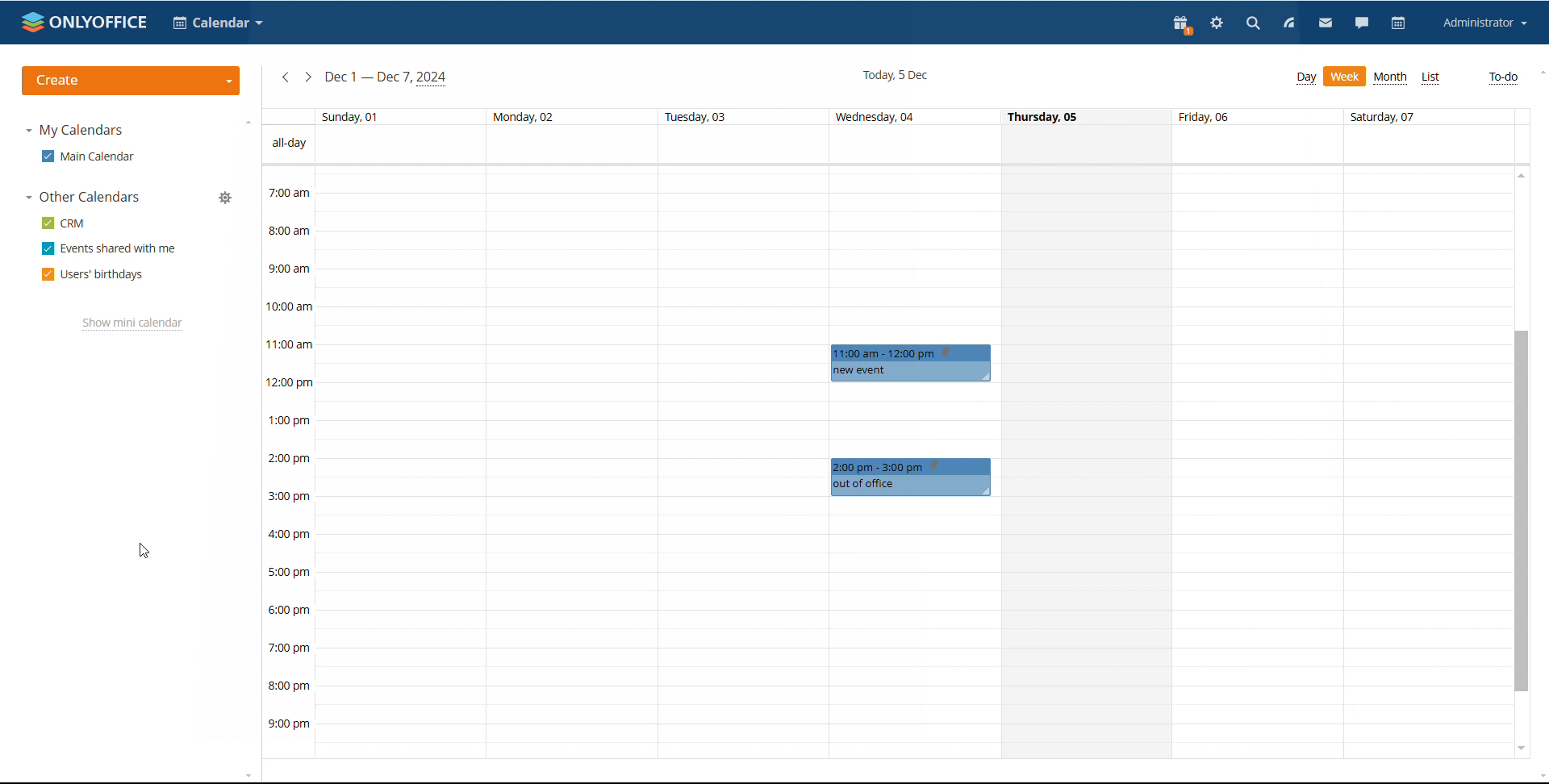 The height and width of the screenshot is (784, 1549). What do you see at coordinates (82, 197) in the screenshot?
I see `other calendars` at bounding box center [82, 197].